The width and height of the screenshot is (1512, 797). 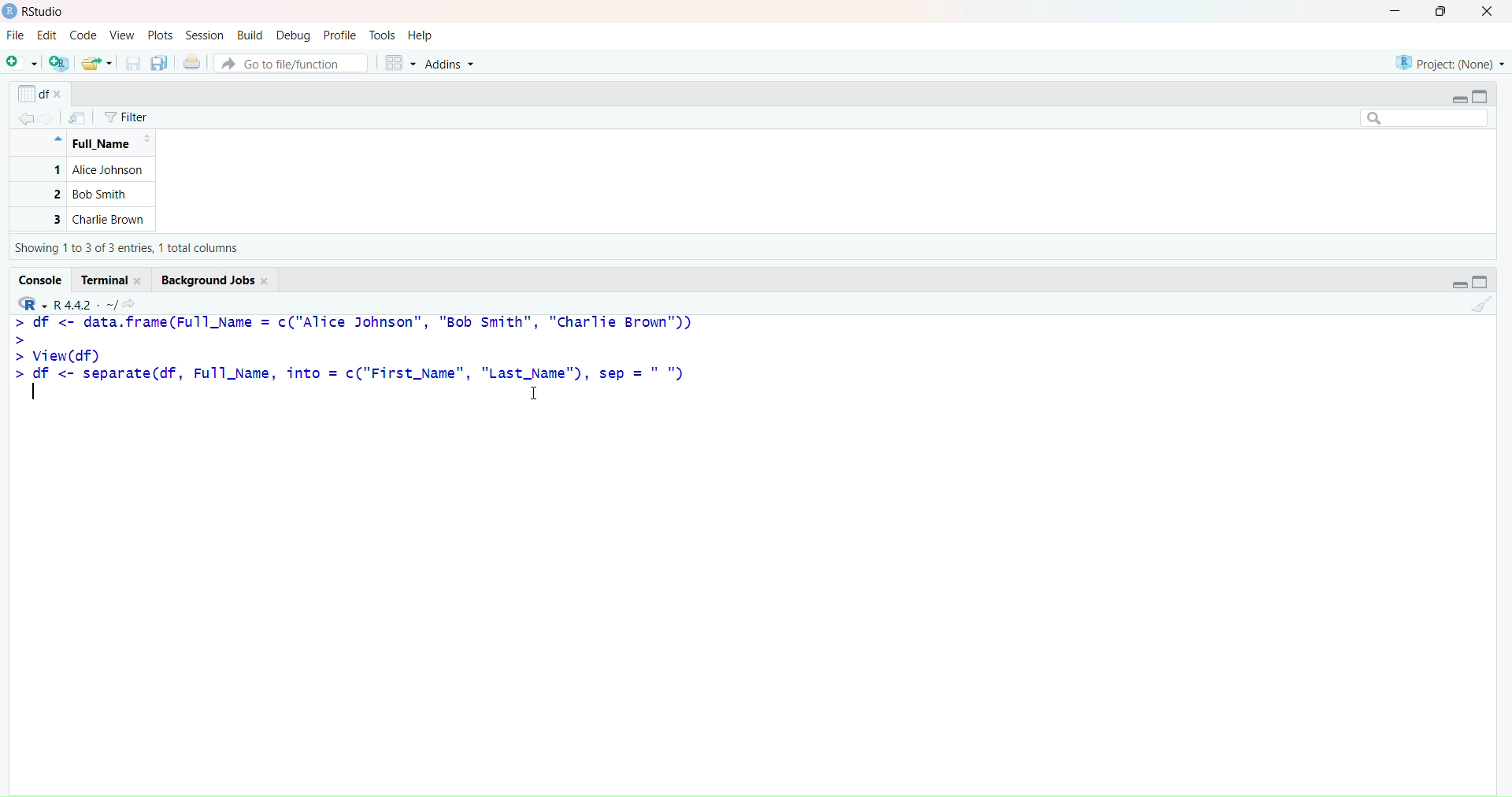 I want to click on Project (None), so click(x=1449, y=57).